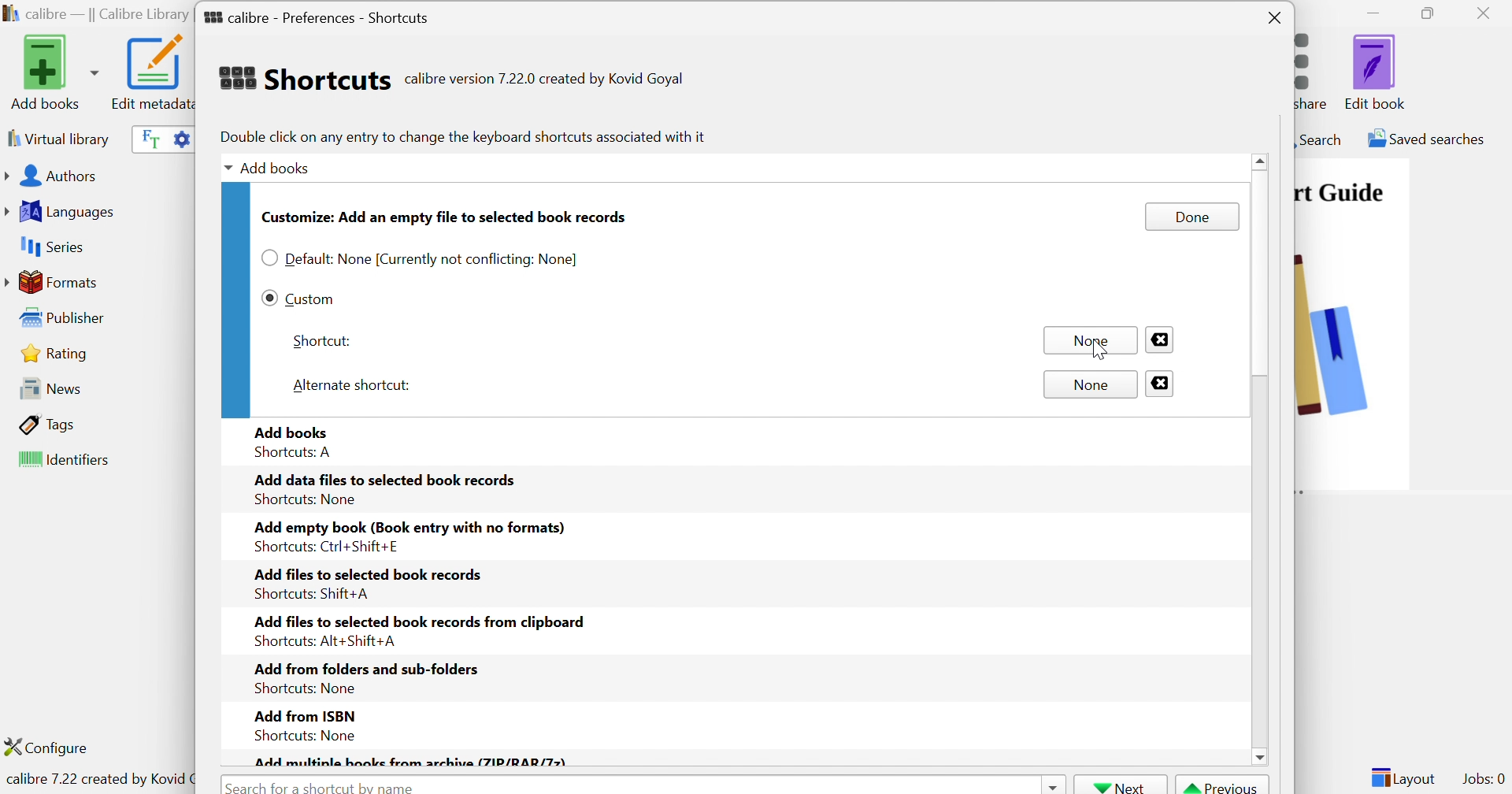 This screenshot has height=794, width=1512. Describe the element at coordinates (1262, 160) in the screenshot. I see `Scroll Up` at that location.